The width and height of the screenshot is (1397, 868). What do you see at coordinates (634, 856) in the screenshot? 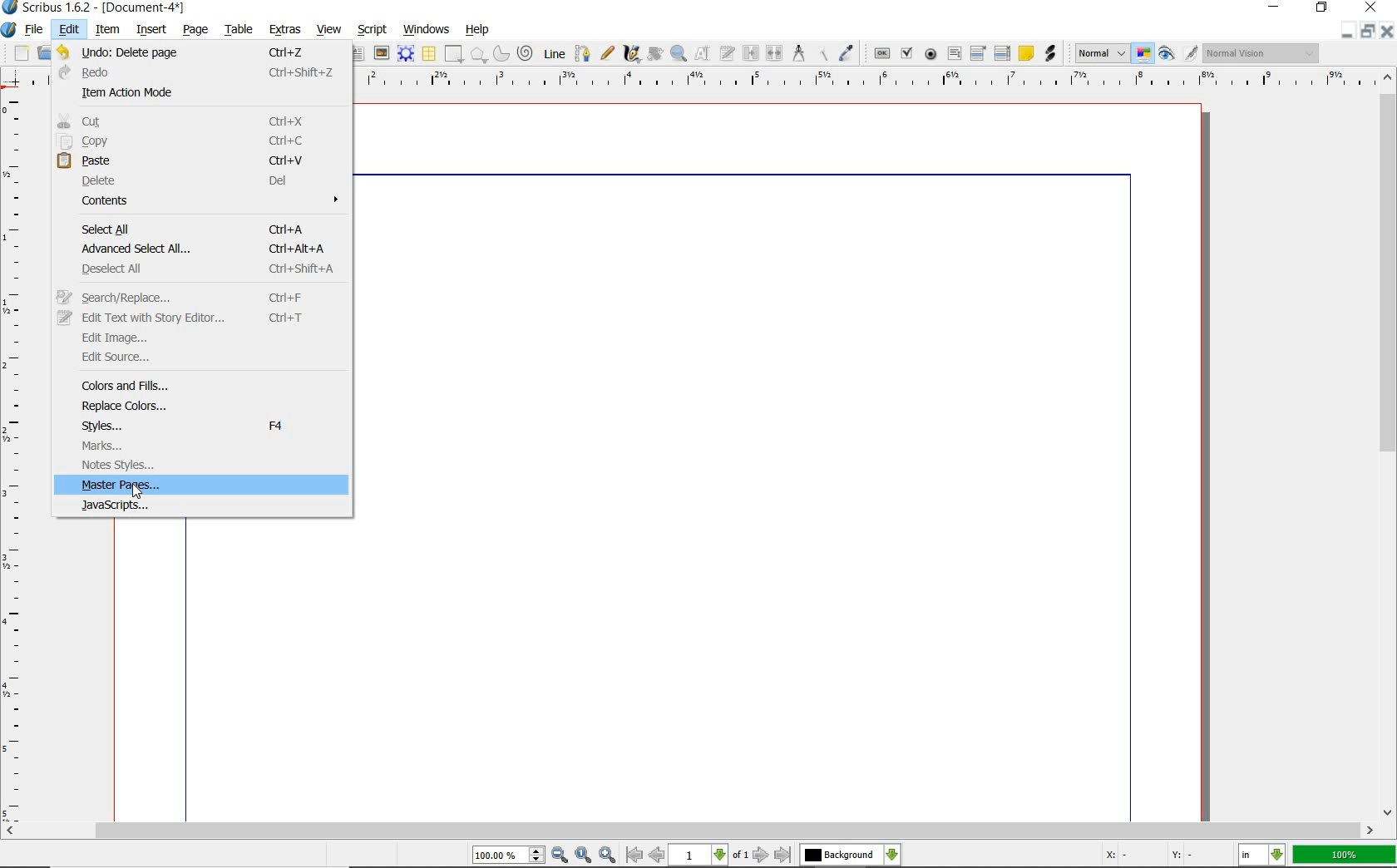
I see `go to first page` at bounding box center [634, 856].